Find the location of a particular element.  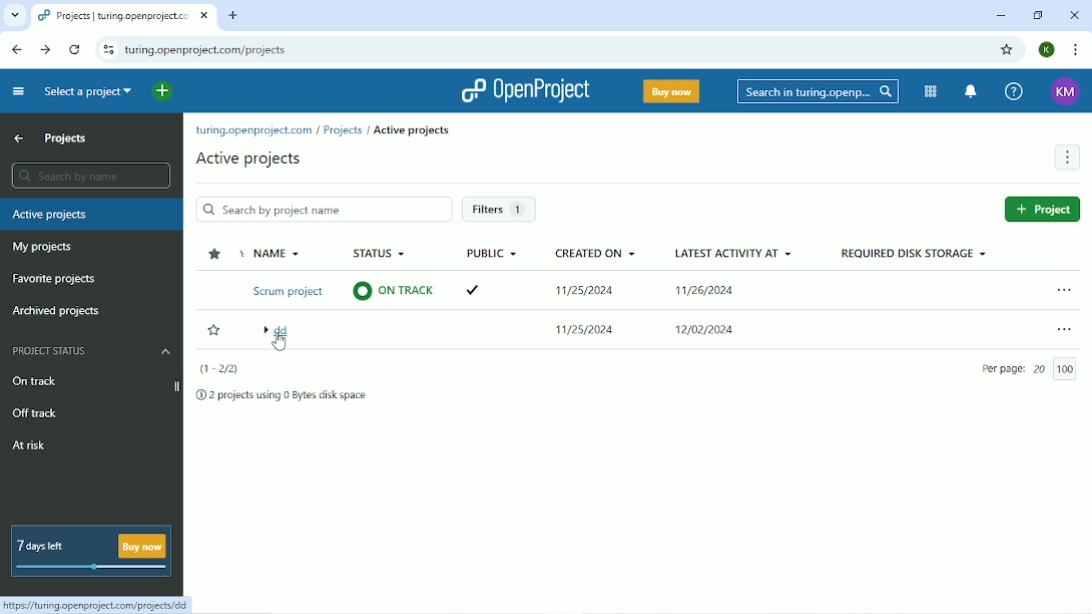

Open  menu is located at coordinates (1063, 329).